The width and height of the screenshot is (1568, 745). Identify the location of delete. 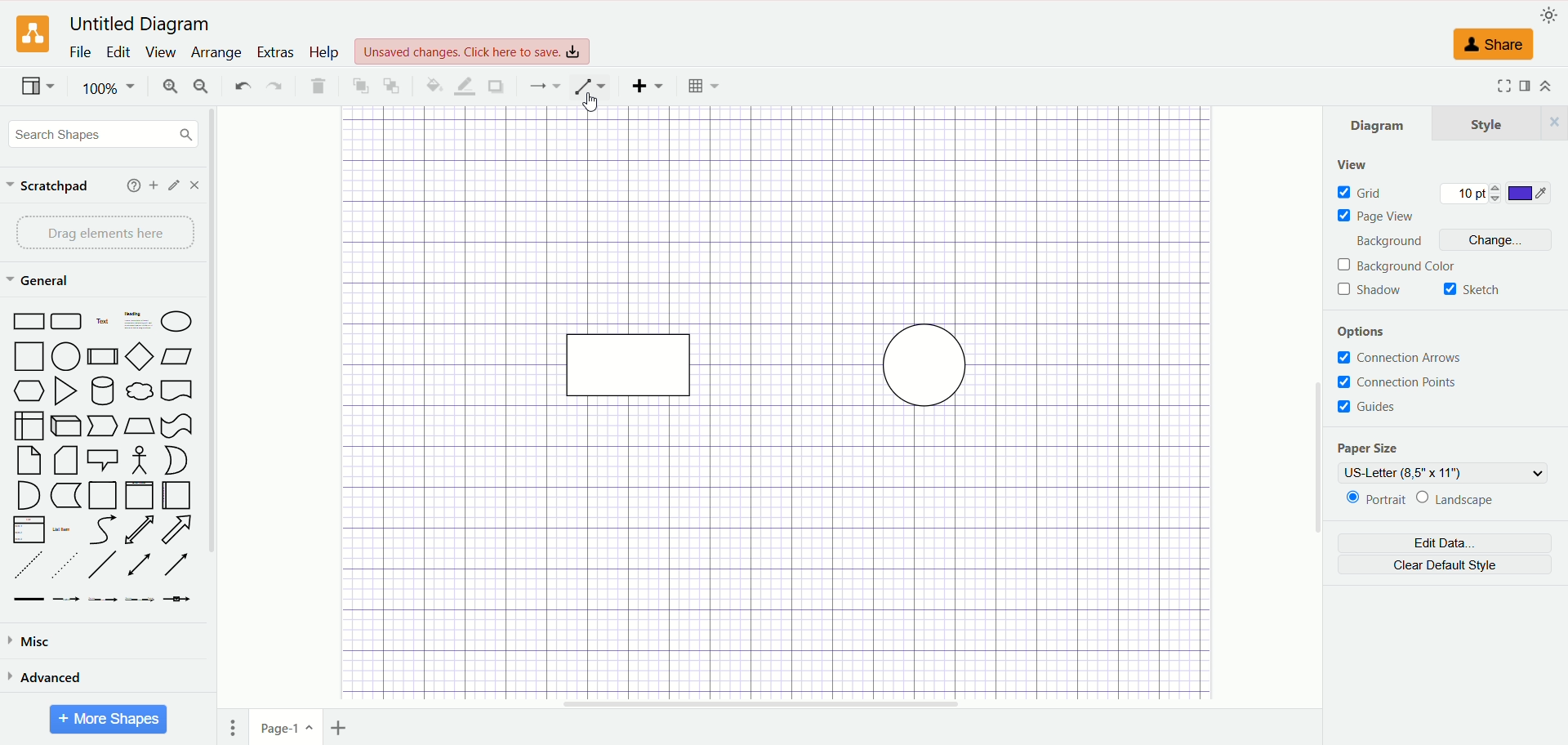
(316, 84).